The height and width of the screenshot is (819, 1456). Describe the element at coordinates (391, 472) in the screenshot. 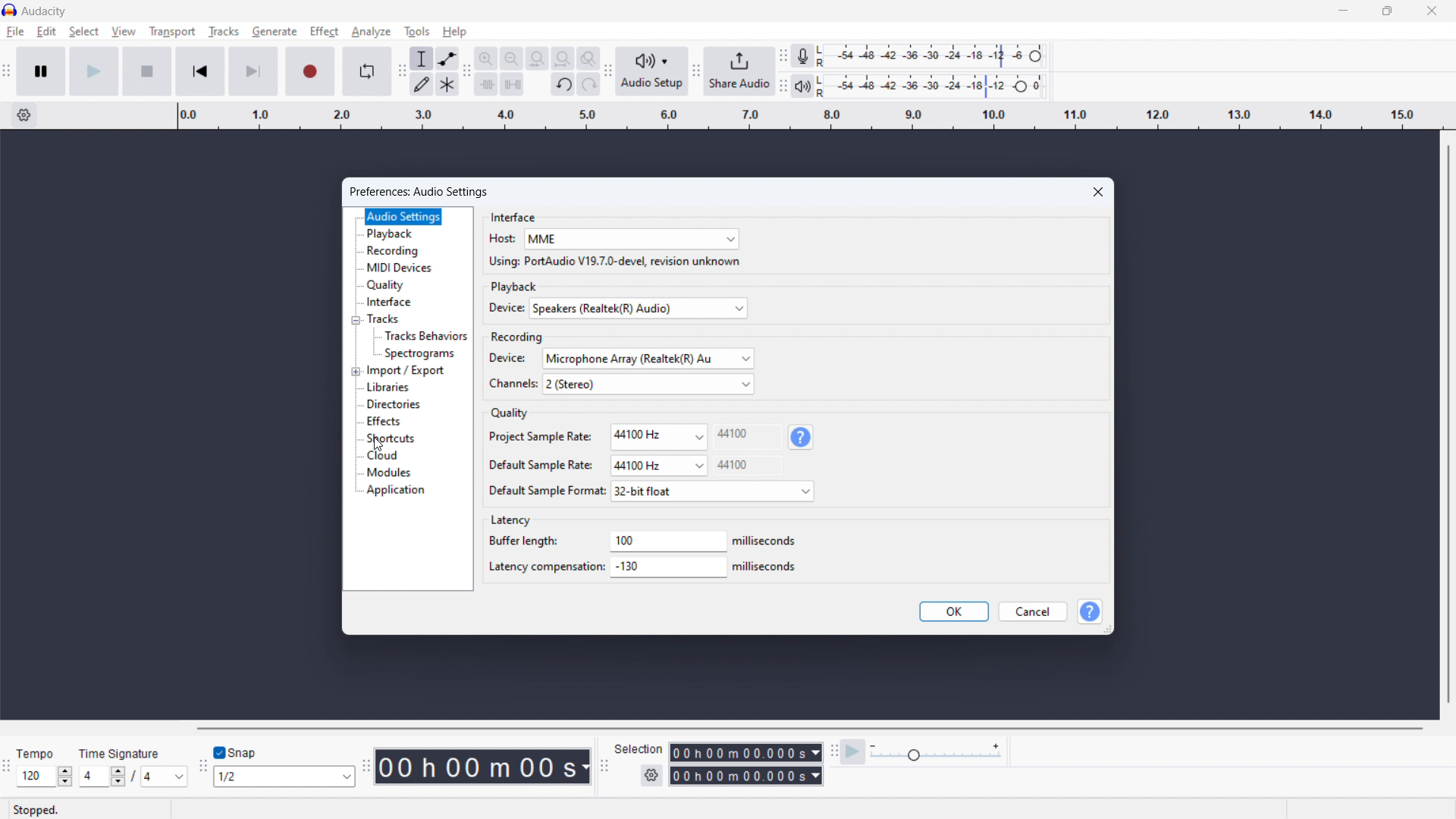

I see `modules` at that location.